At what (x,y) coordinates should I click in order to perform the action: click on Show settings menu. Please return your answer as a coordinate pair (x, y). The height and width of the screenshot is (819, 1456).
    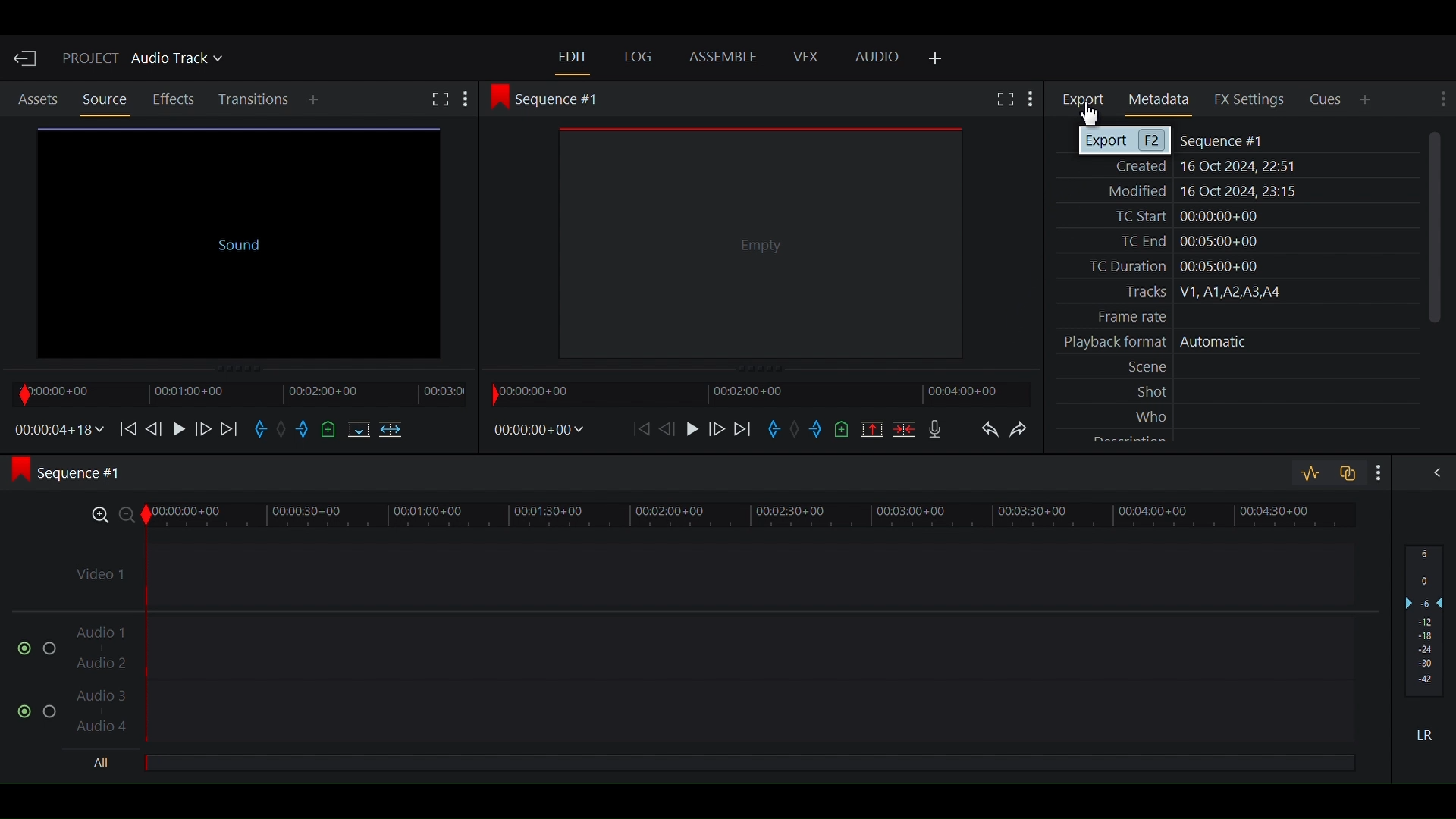
    Looking at the image, I should click on (1440, 99).